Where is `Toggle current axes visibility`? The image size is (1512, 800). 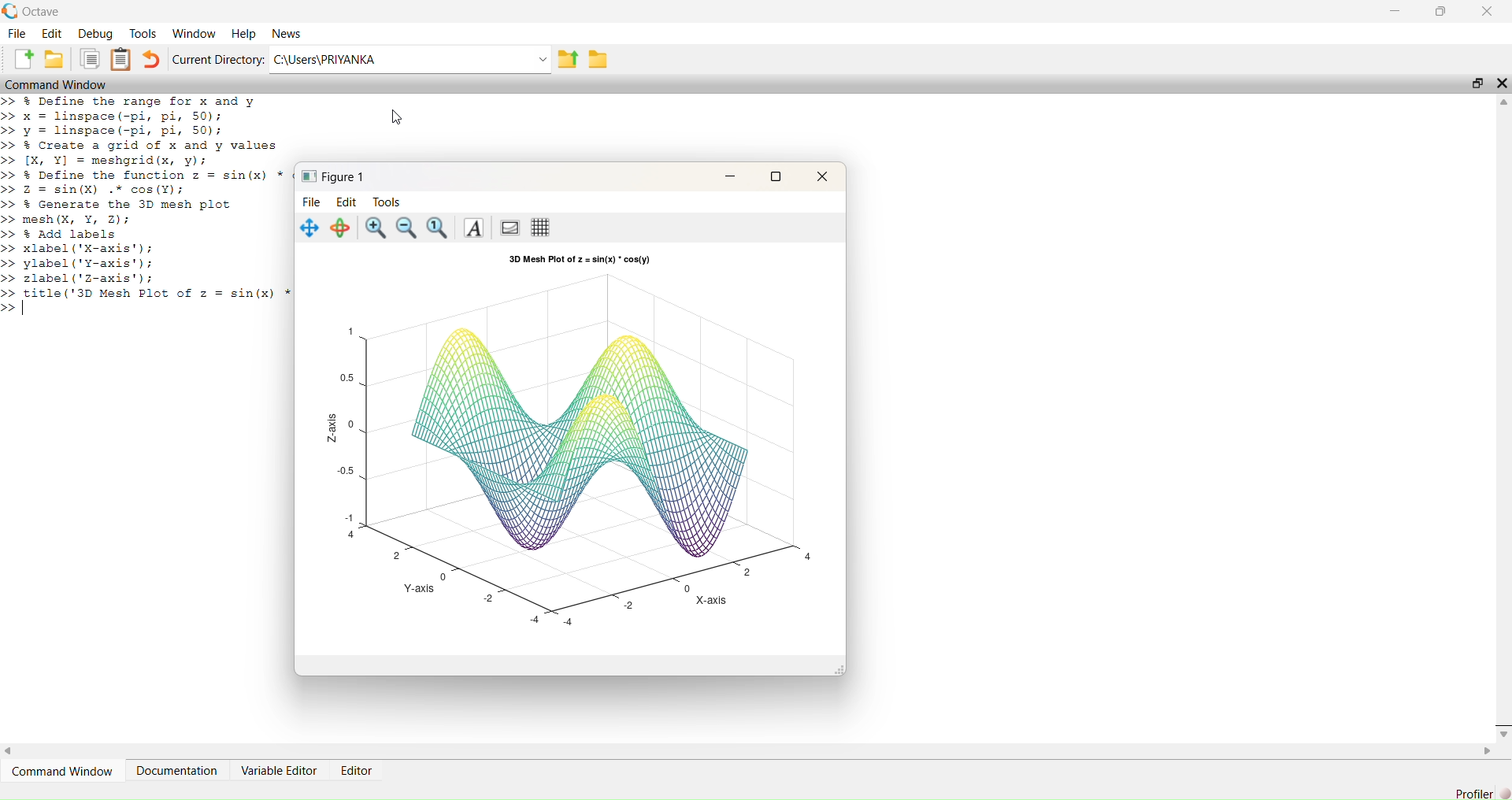 Toggle current axes visibility is located at coordinates (510, 226).